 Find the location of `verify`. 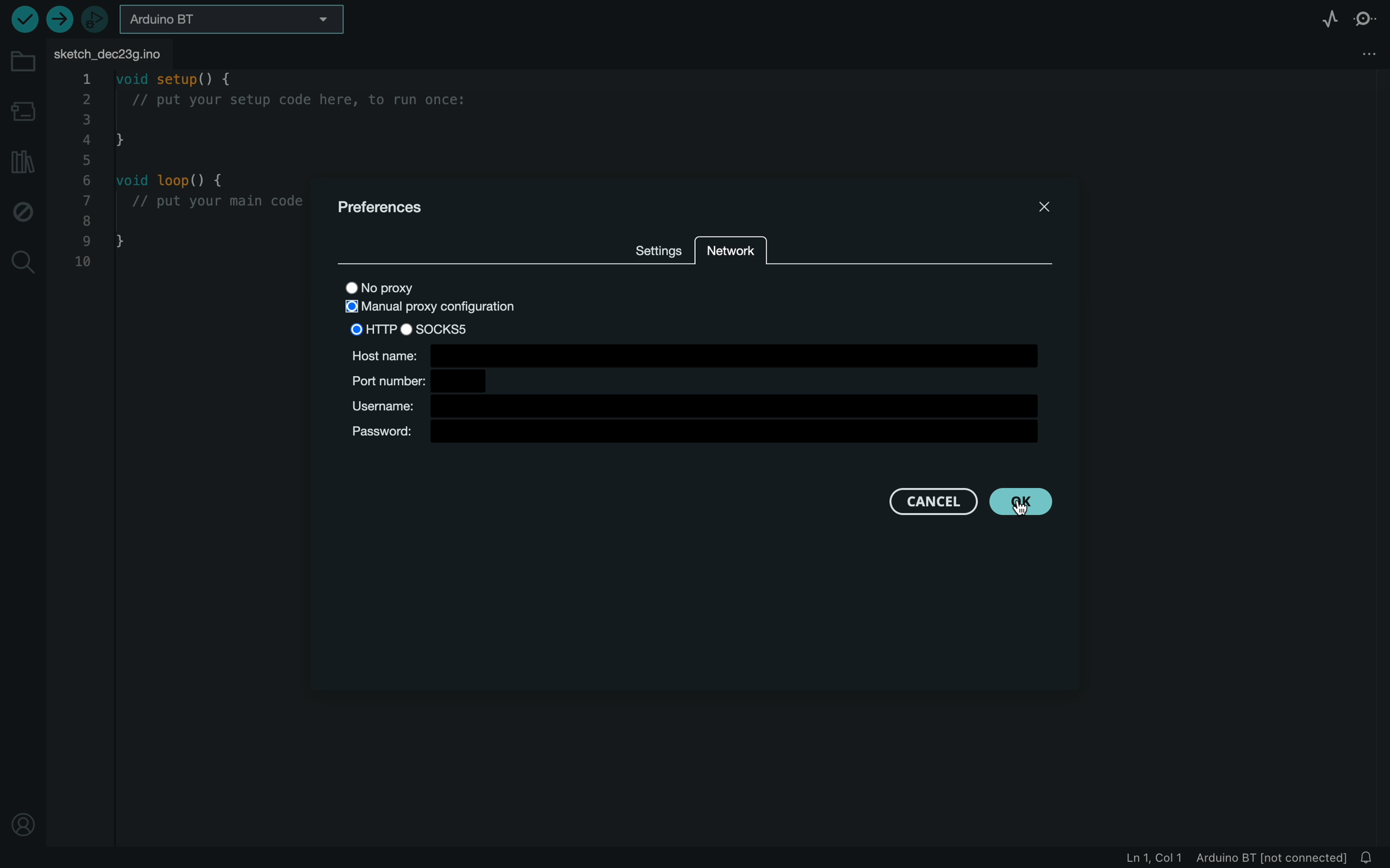

verify is located at coordinates (22, 20).